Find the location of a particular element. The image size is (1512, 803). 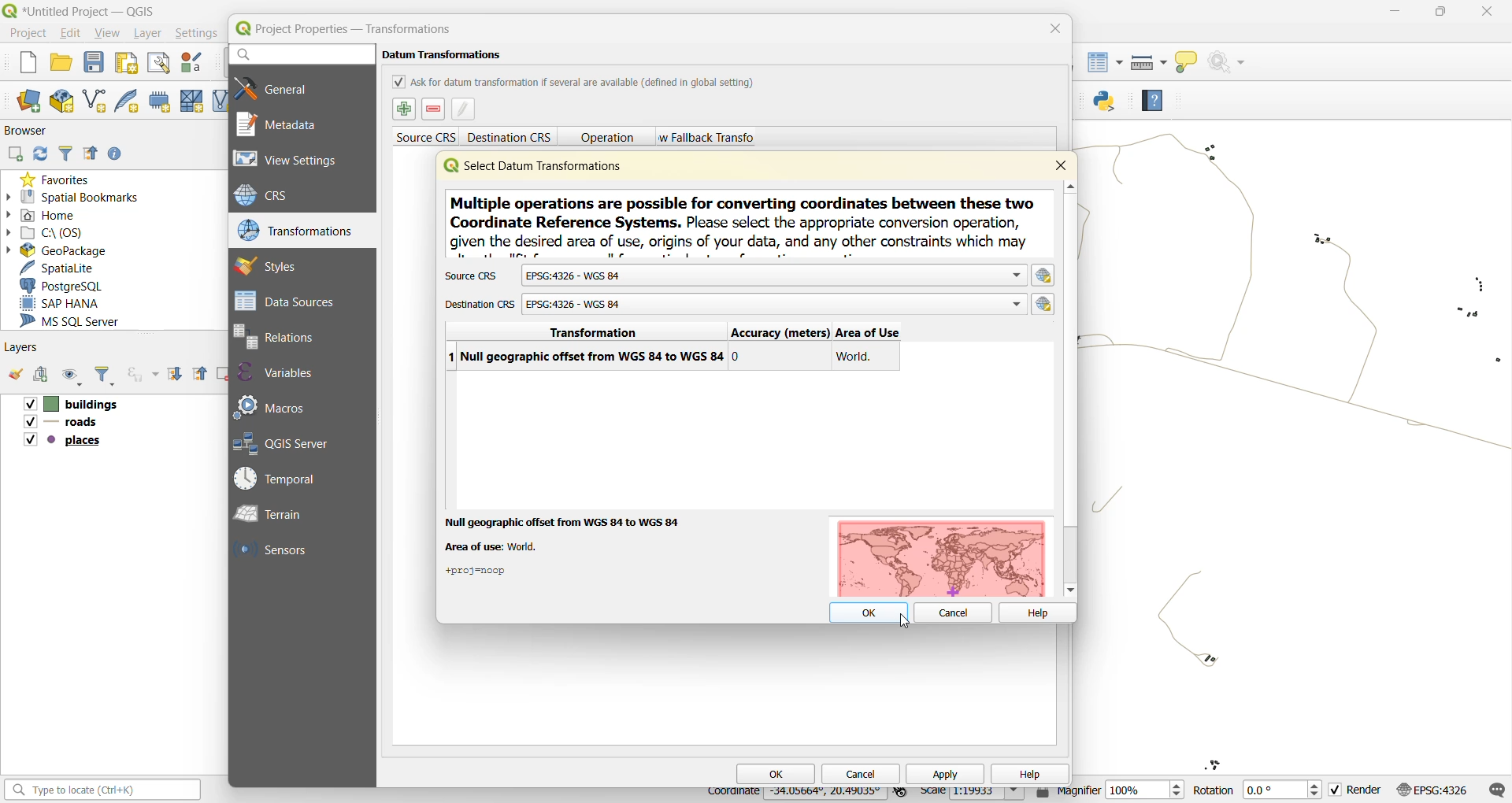

filter is located at coordinates (67, 154).